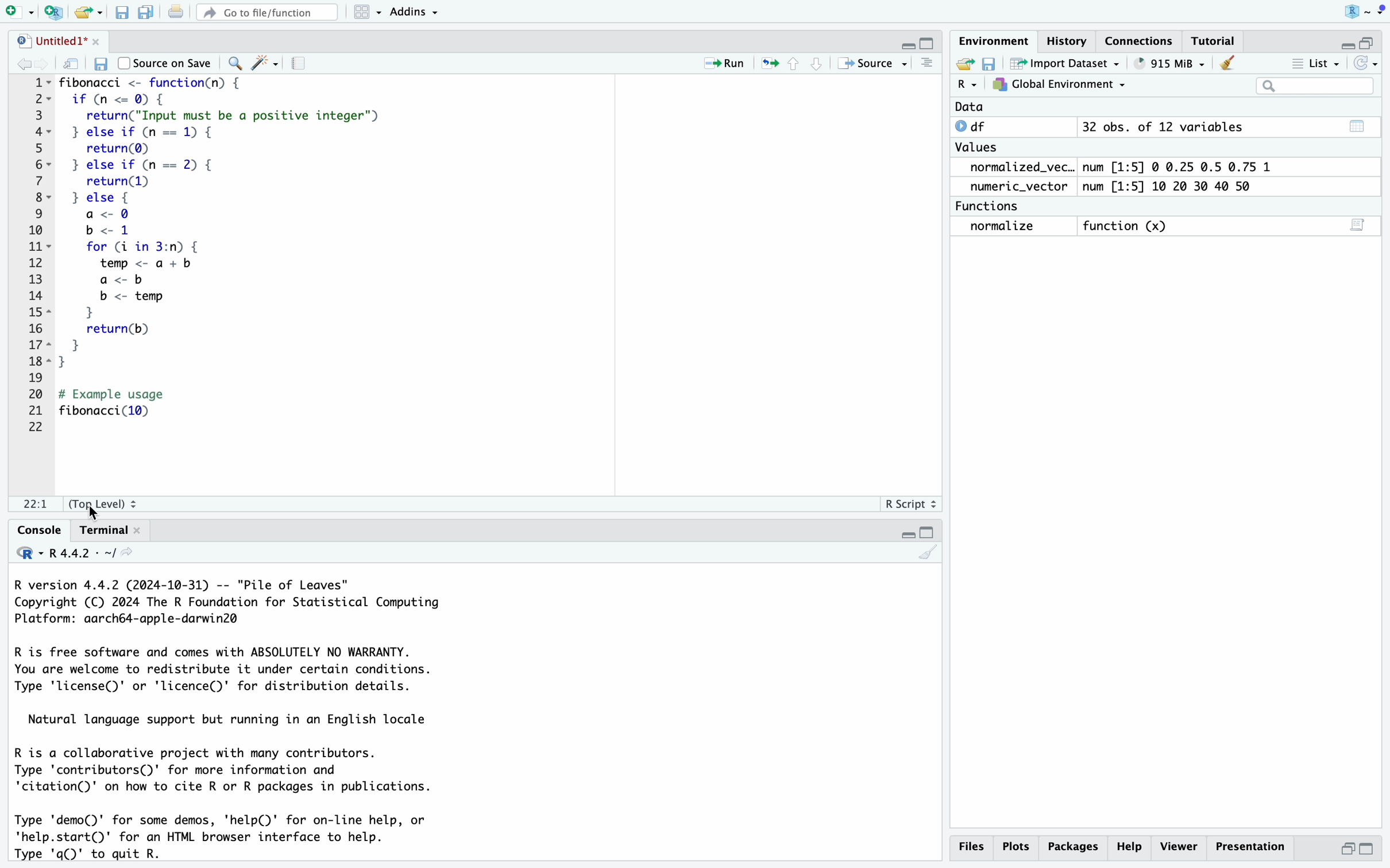  What do you see at coordinates (979, 147) in the screenshot?
I see `values` at bounding box center [979, 147].